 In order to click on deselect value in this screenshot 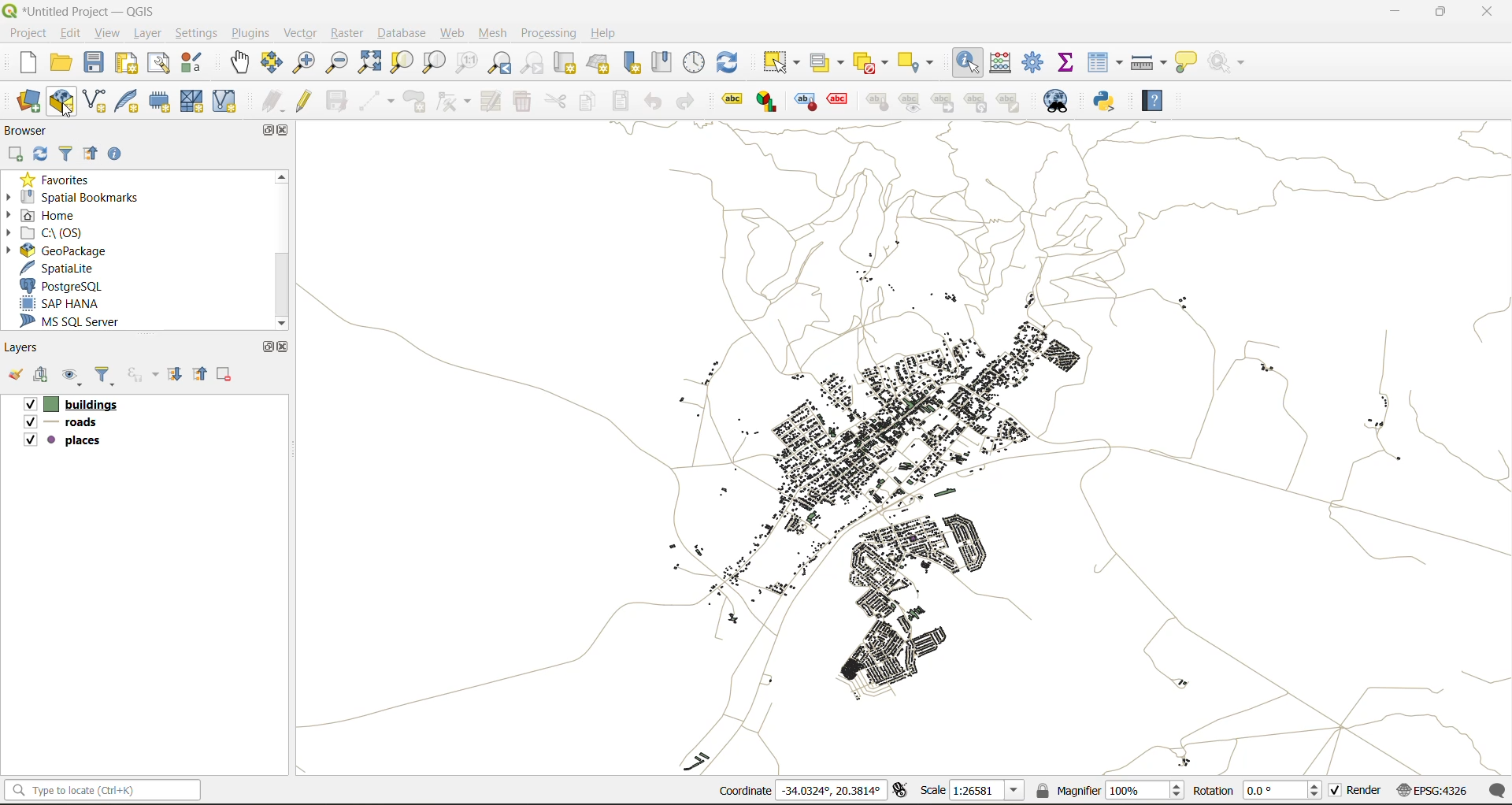, I will do `click(873, 65)`.